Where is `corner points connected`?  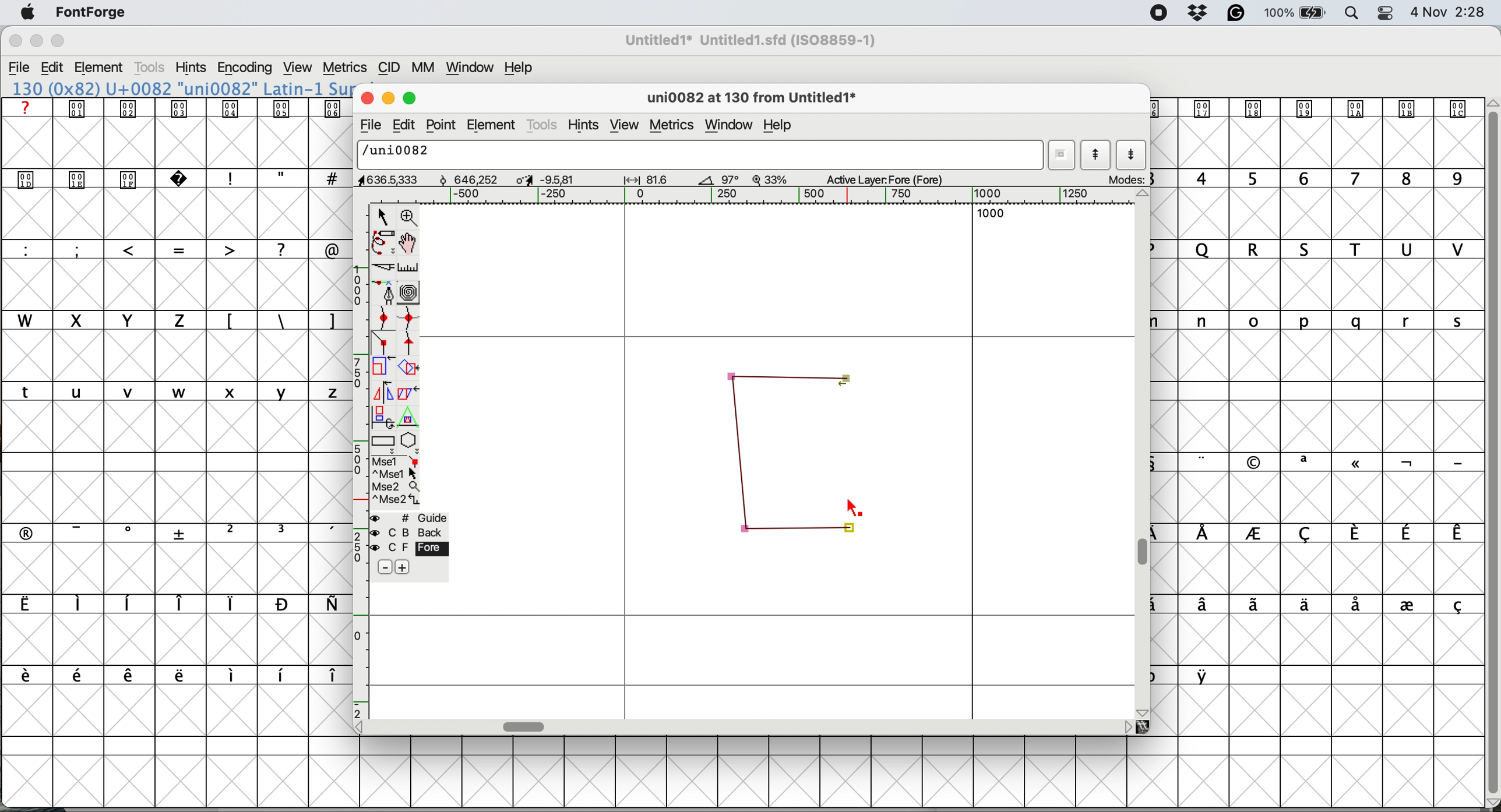
corner points connected is located at coordinates (791, 531).